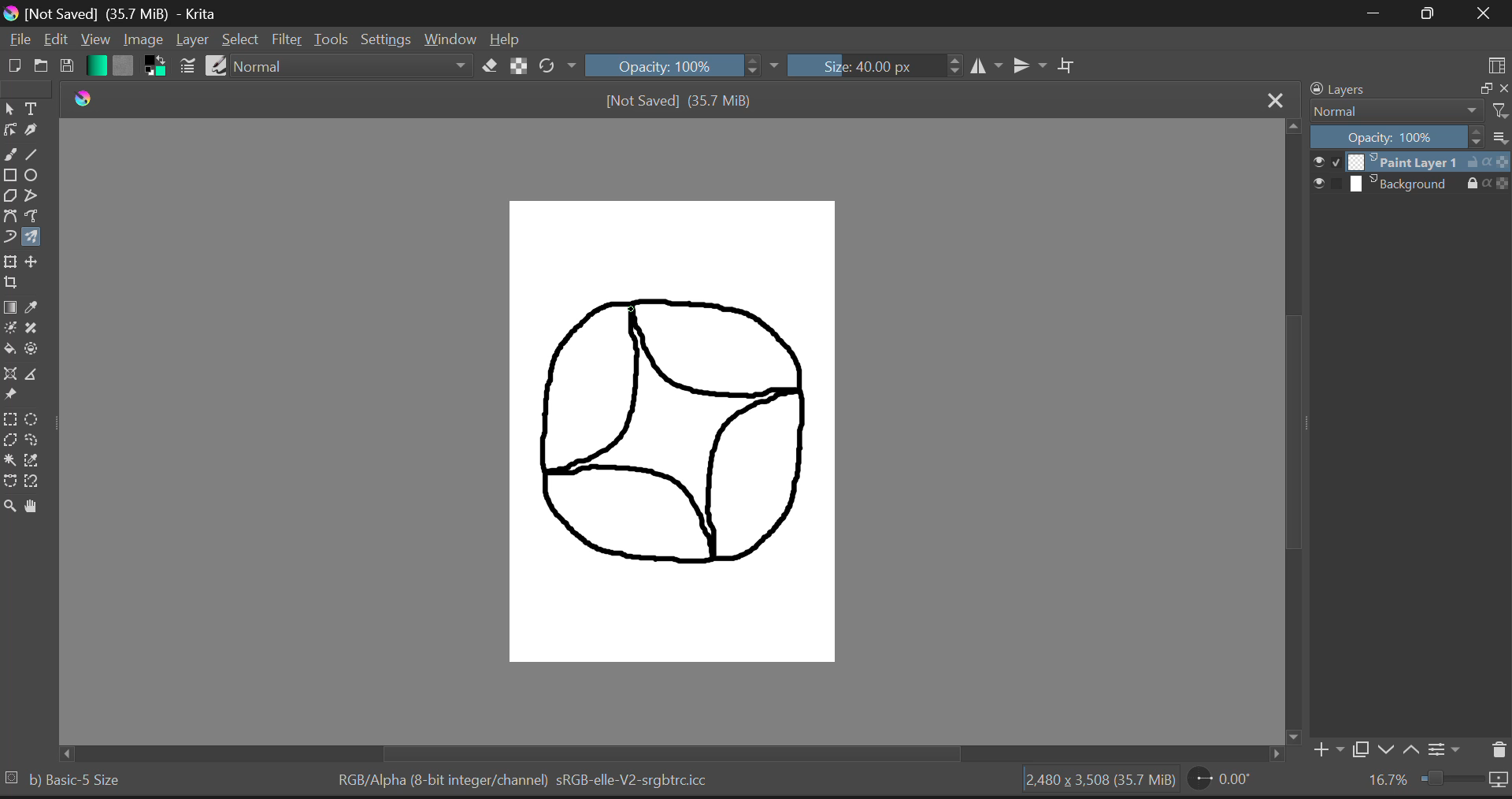  What do you see at coordinates (332, 40) in the screenshot?
I see `Tools` at bounding box center [332, 40].